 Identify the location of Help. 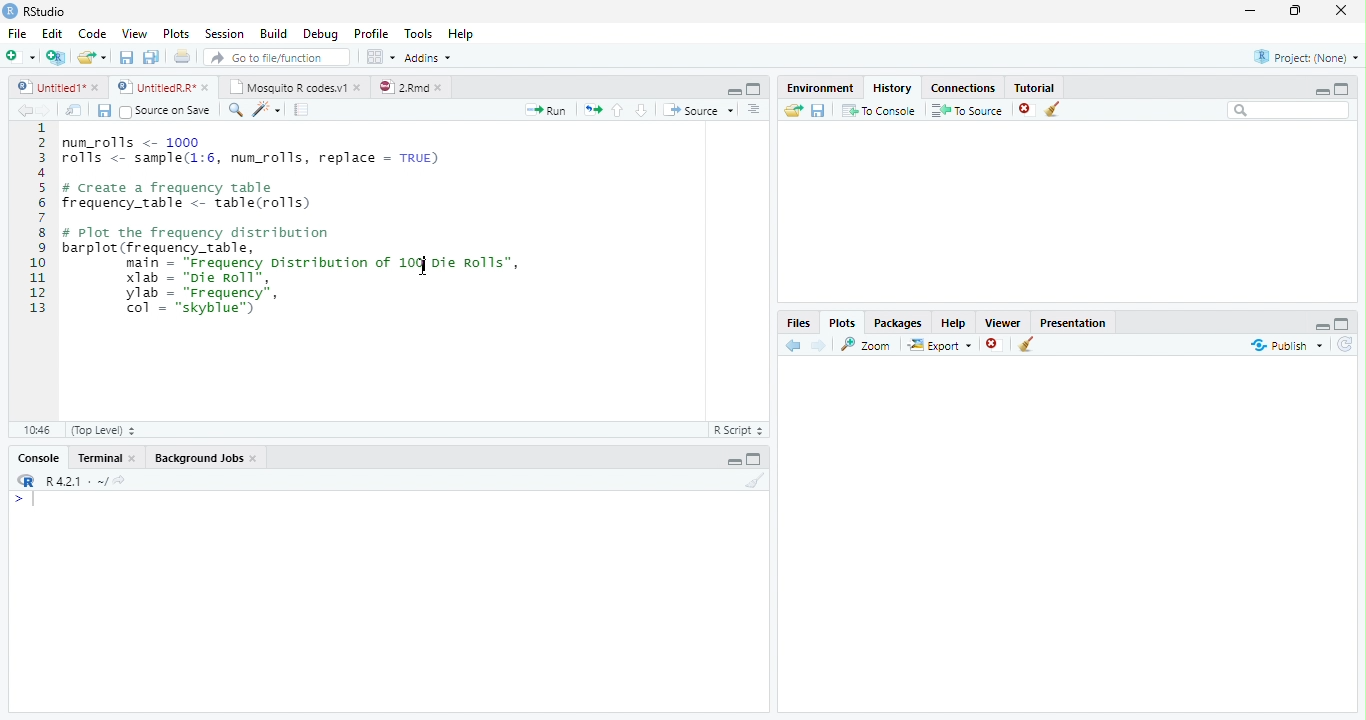
(463, 33).